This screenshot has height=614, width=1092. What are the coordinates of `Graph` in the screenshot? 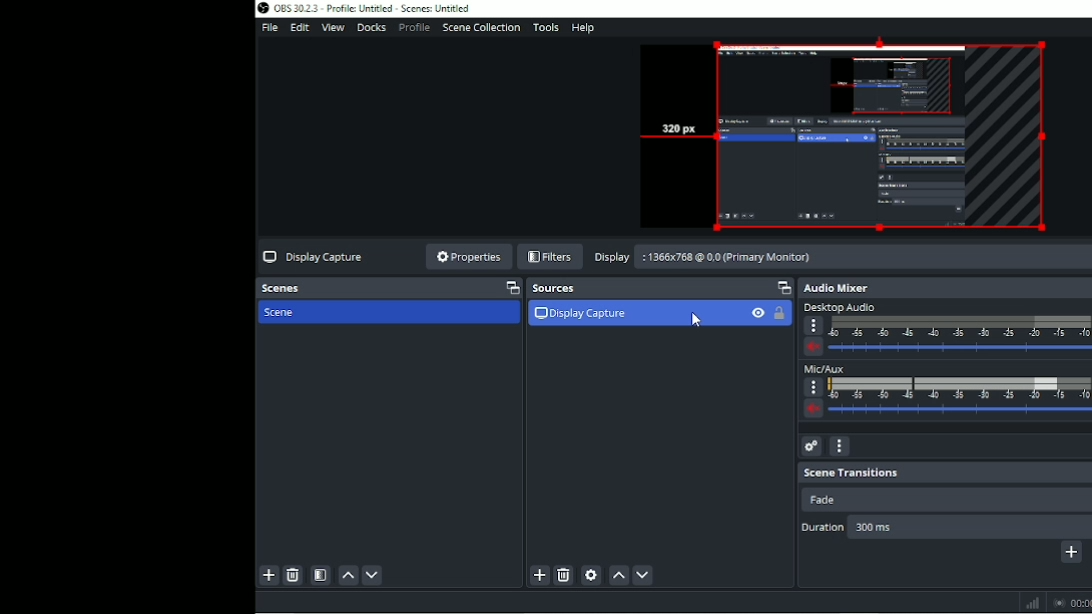 It's located at (1029, 602).